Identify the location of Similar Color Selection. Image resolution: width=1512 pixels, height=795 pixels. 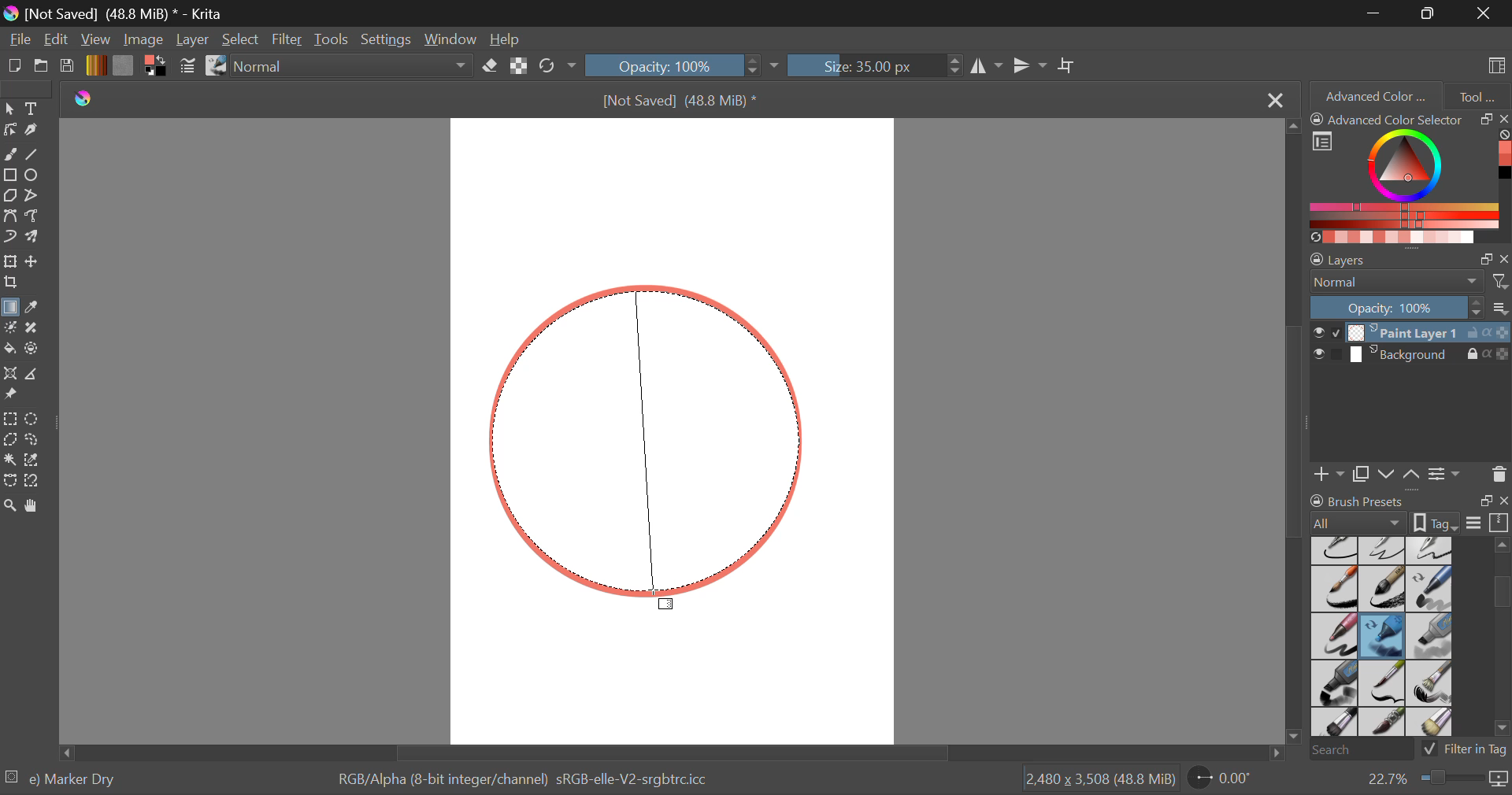
(37, 461).